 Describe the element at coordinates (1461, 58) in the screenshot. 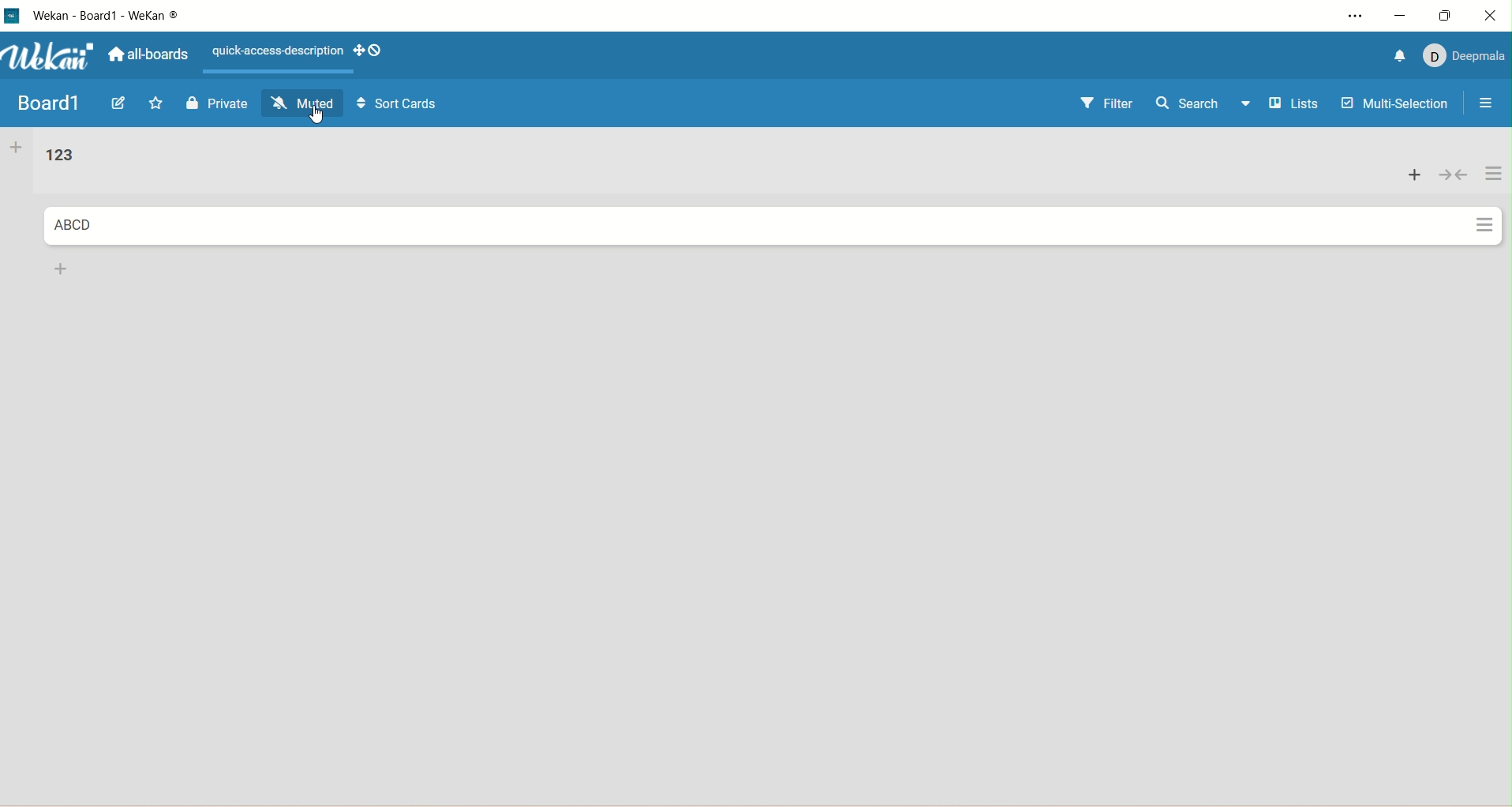

I see `account` at that location.